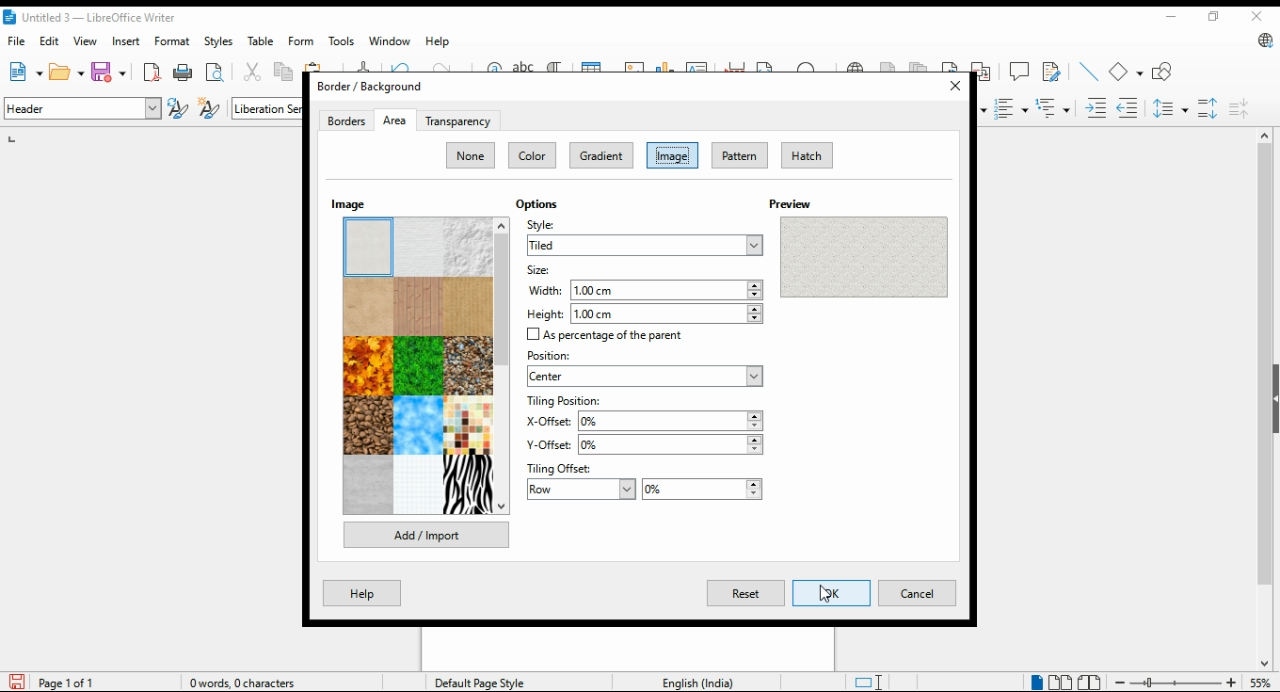  I want to click on insert bookmark, so click(951, 65).